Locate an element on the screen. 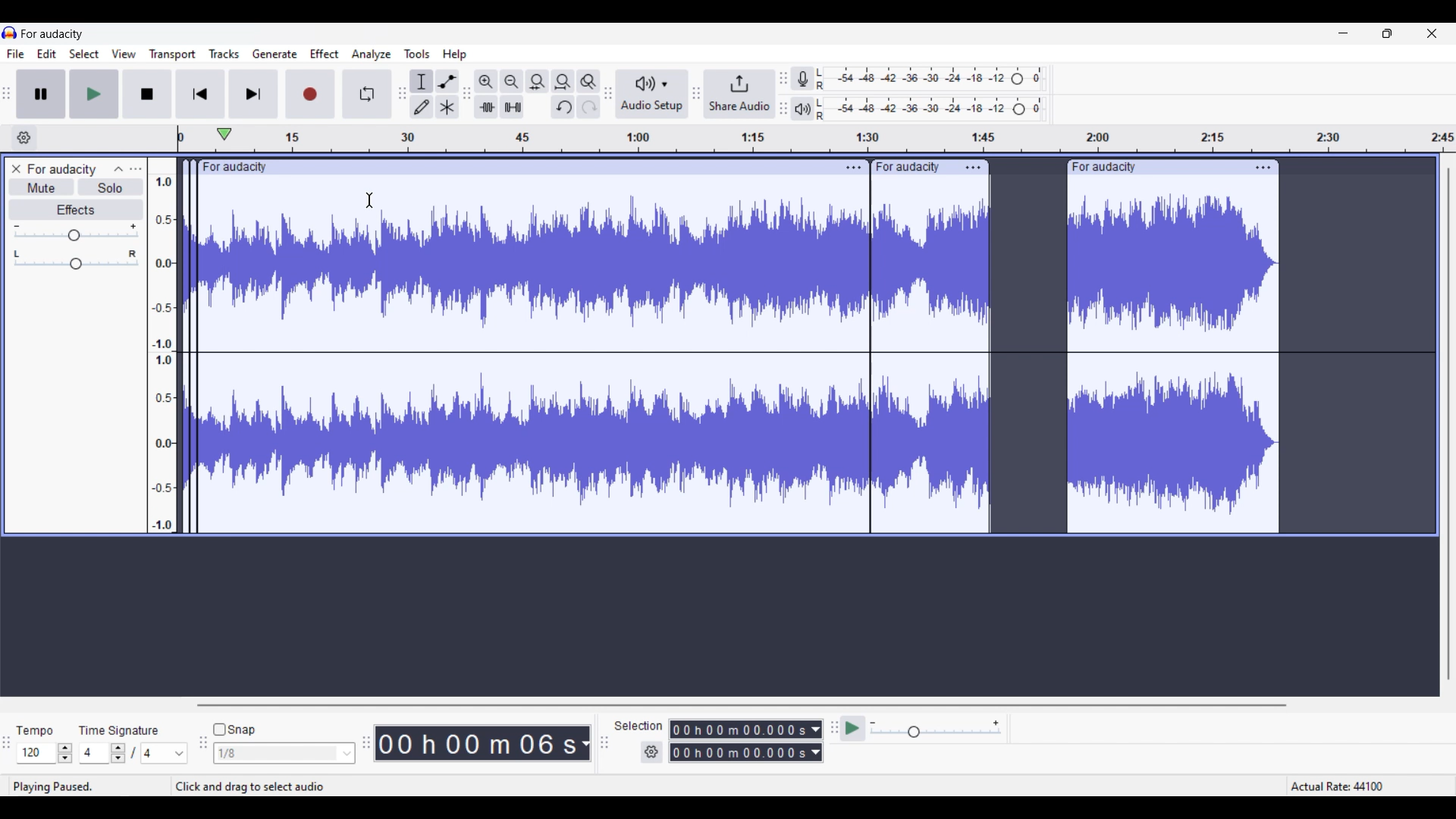  Effect menu is located at coordinates (325, 53).